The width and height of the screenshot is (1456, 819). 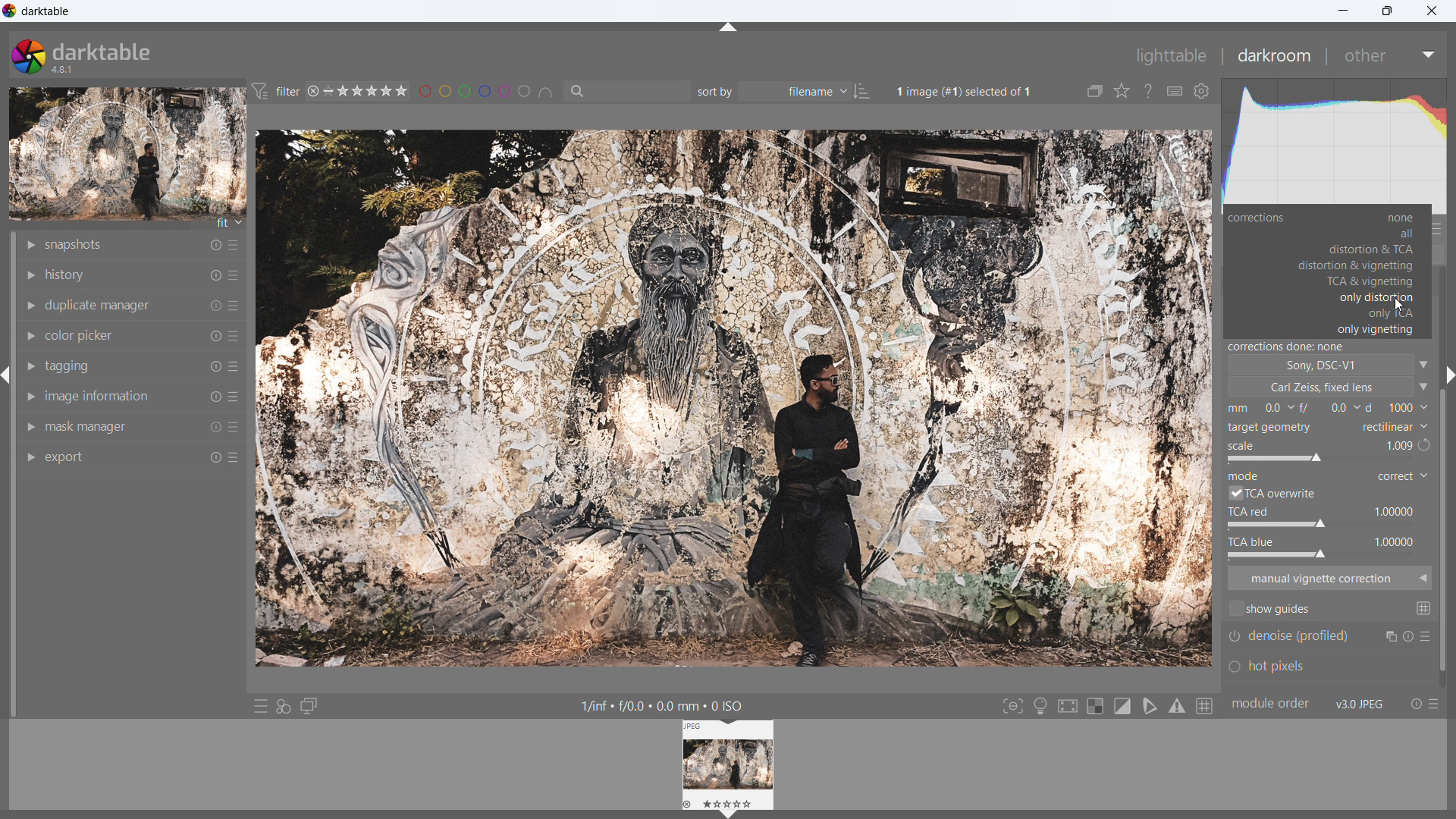 I want to click on TCA & vignetting, so click(x=1359, y=282).